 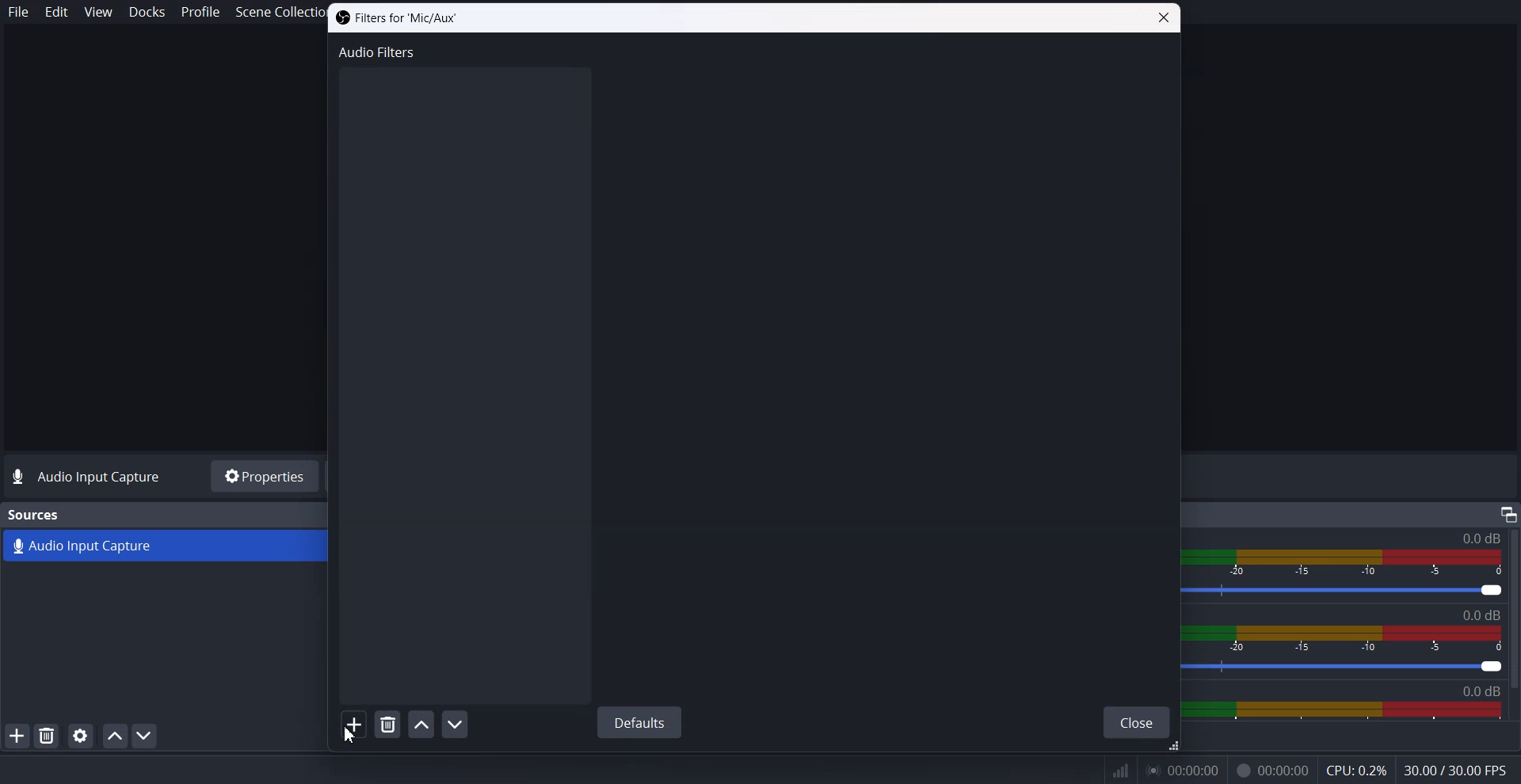 I want to click on Edit, so click(x=57, y=12).